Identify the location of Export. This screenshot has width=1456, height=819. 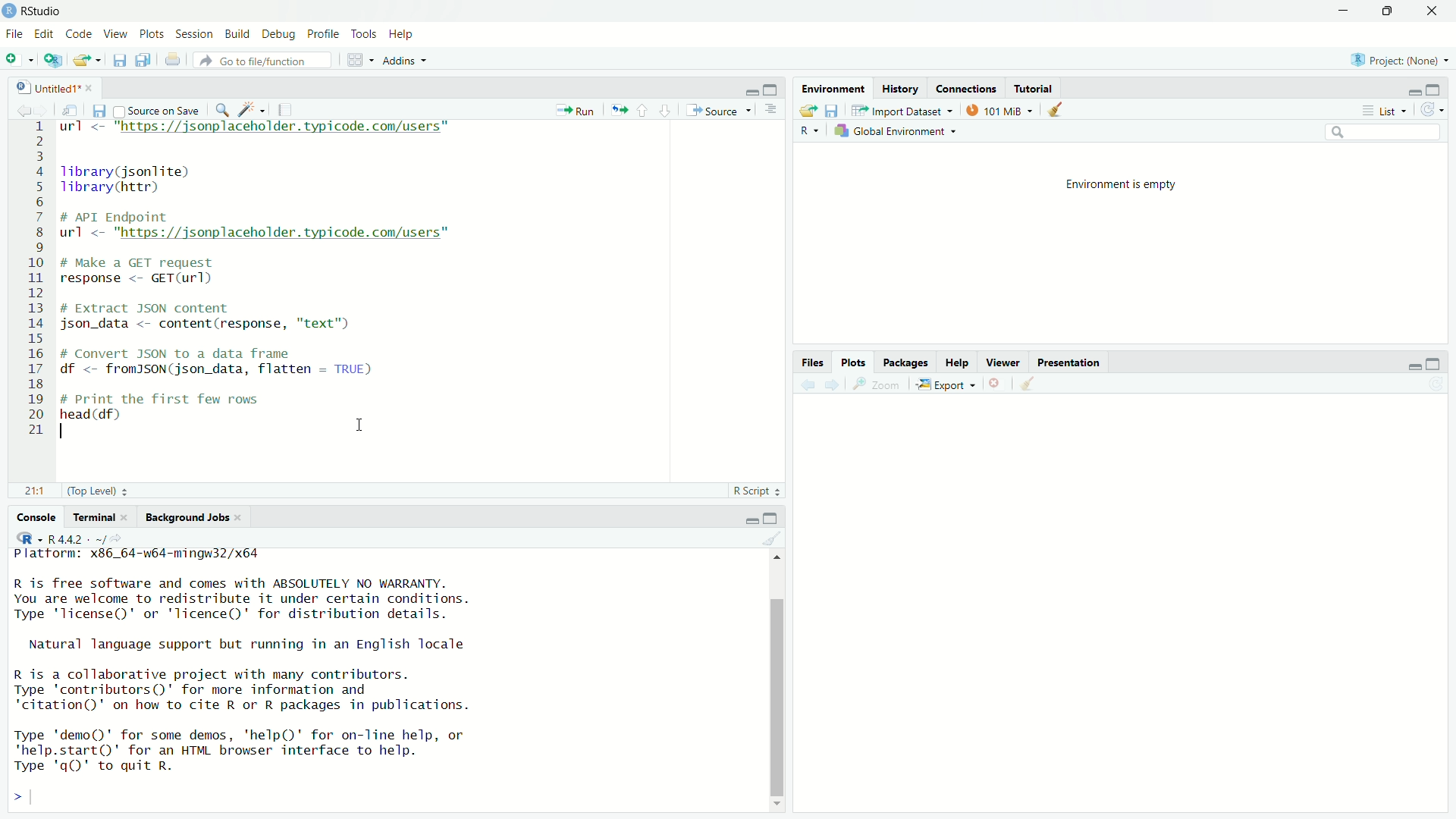
(944, 385).